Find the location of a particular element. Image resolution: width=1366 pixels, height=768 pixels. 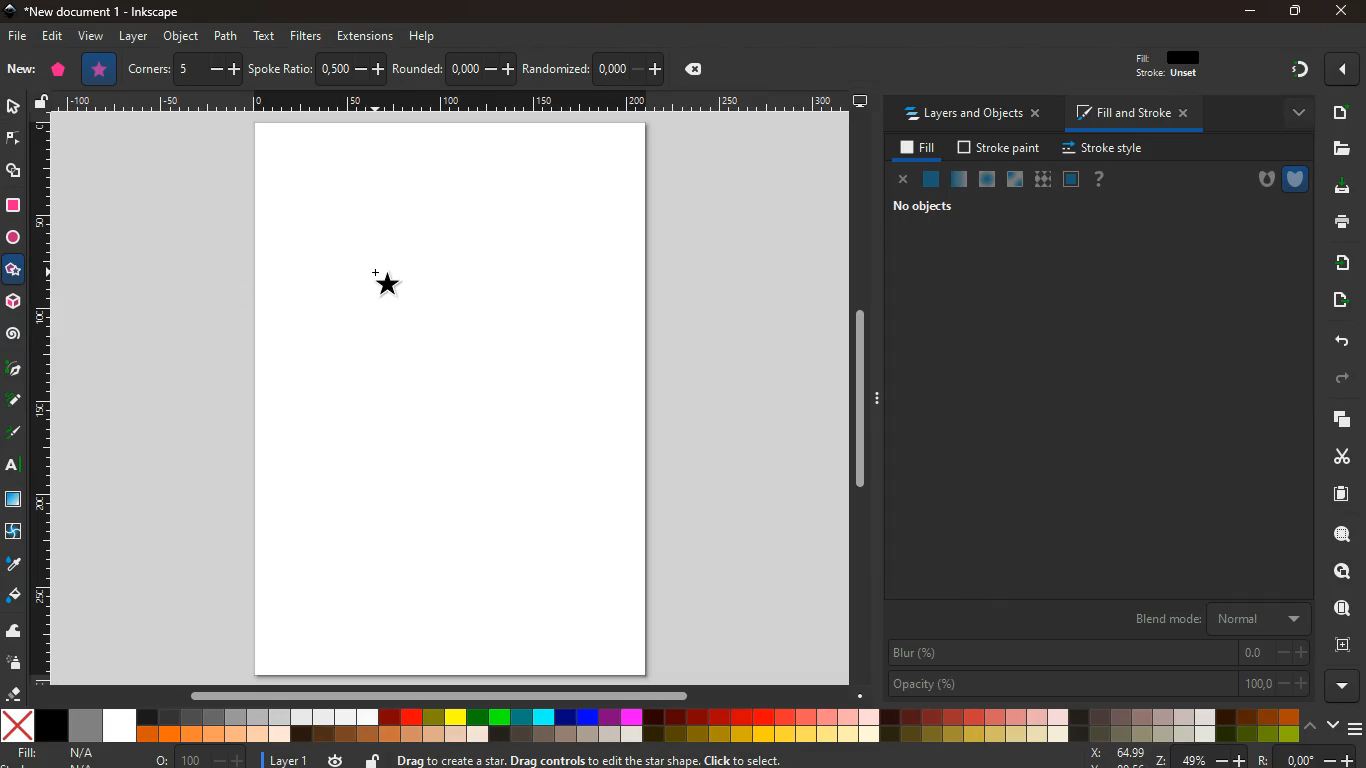

select is located at coordinates (15, 109).